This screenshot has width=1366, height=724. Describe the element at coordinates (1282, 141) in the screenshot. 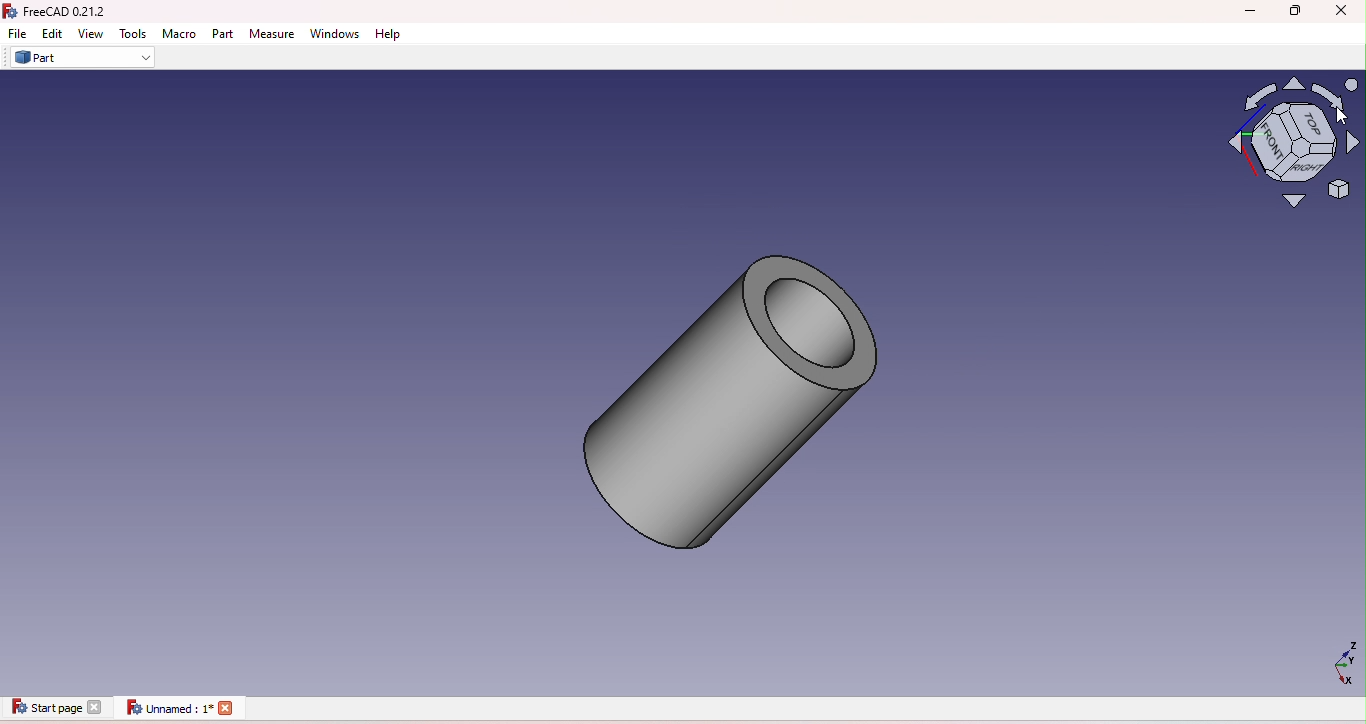

I see `Navigation cube` at that location.